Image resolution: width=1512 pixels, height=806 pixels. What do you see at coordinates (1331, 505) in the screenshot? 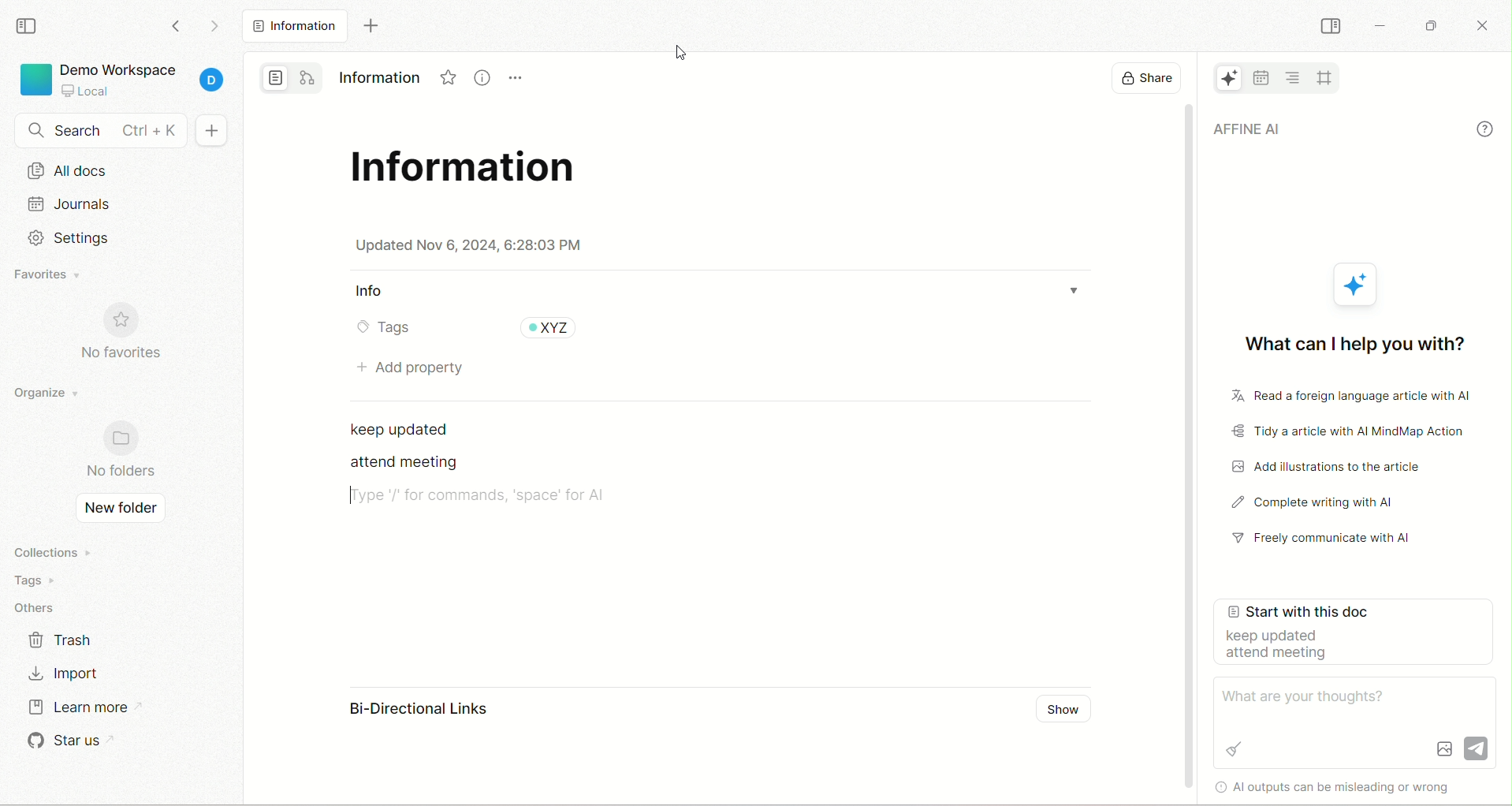
I see `complete writing with AI` at bounding box center [1331, 505].